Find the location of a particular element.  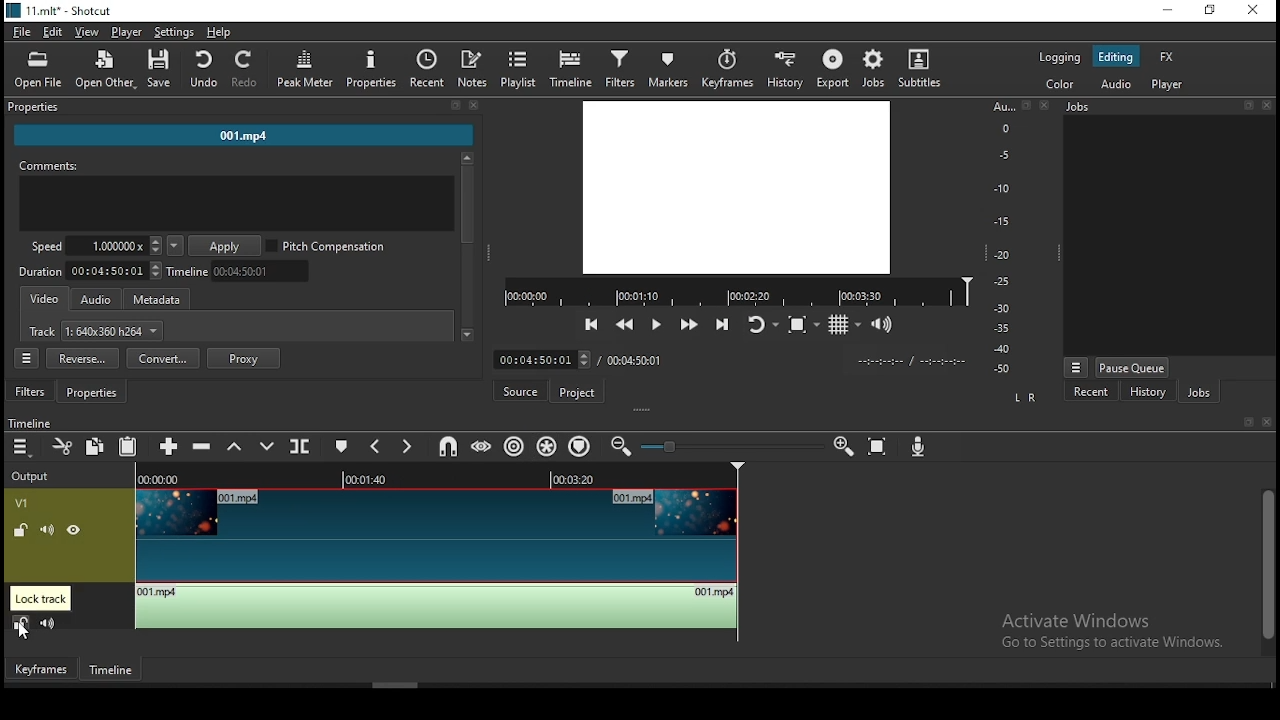

previous marker is located at coordinates (380, 447).